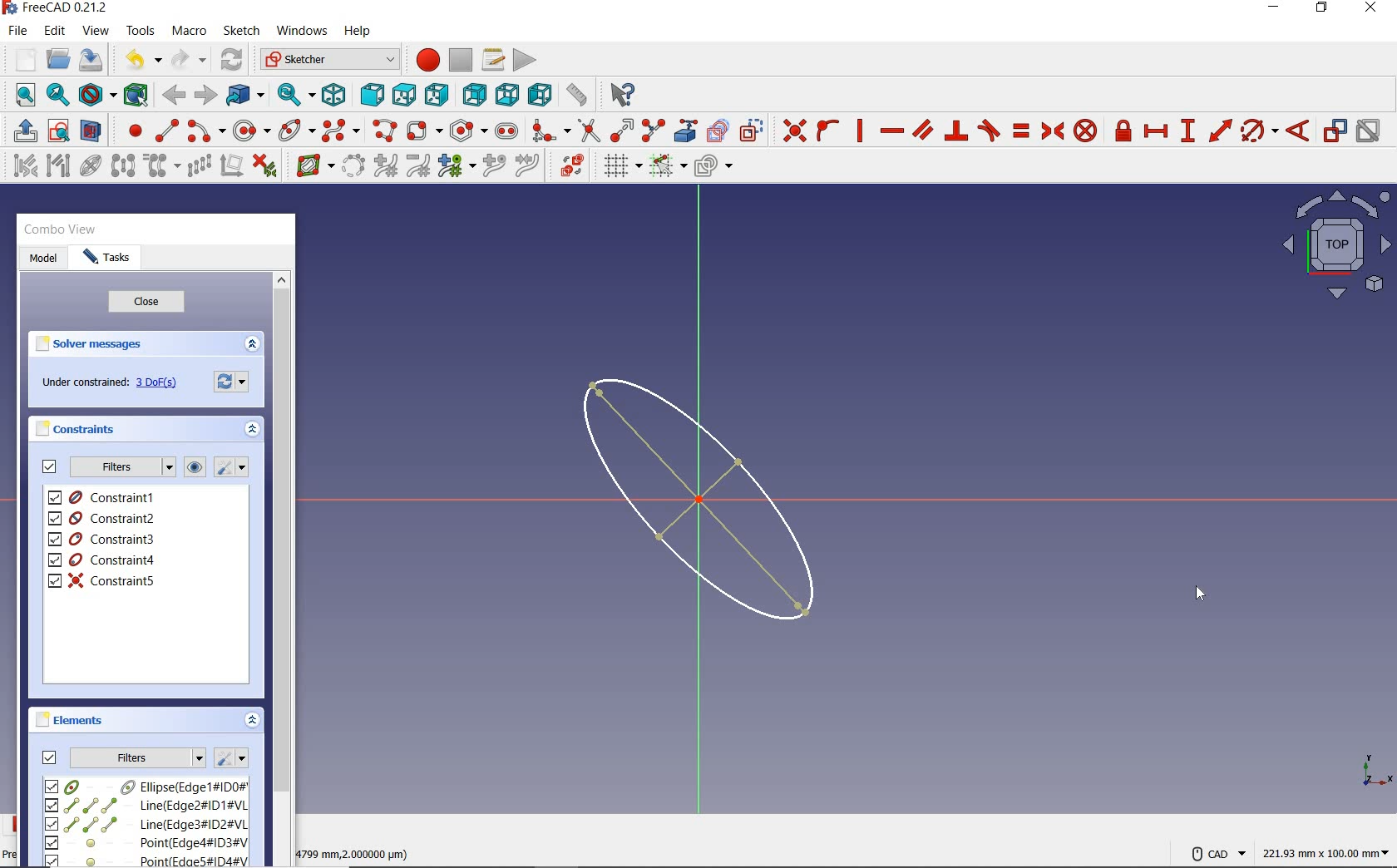 This screenshot has height=868, width=1397. Describe the element at coordinates (507, 92) in the screenshot. I see `bottom` at that location.